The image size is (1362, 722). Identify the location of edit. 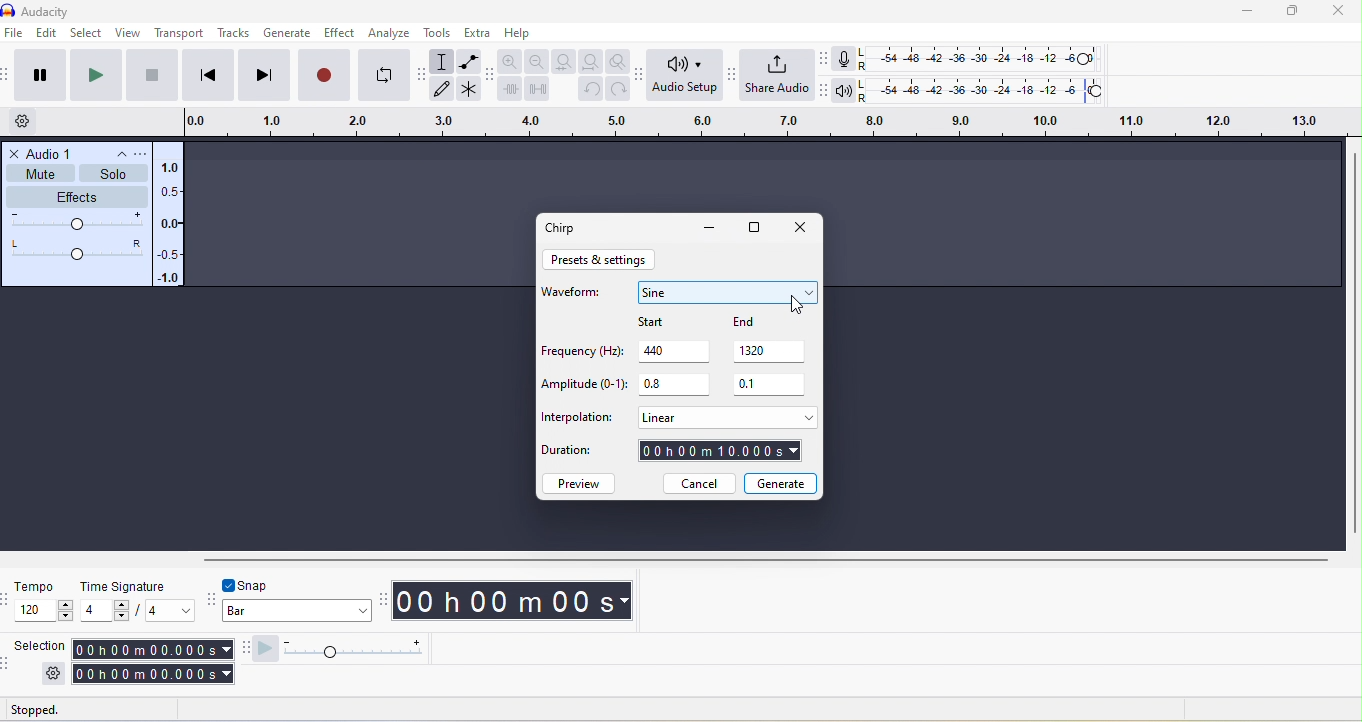
(46, 34).